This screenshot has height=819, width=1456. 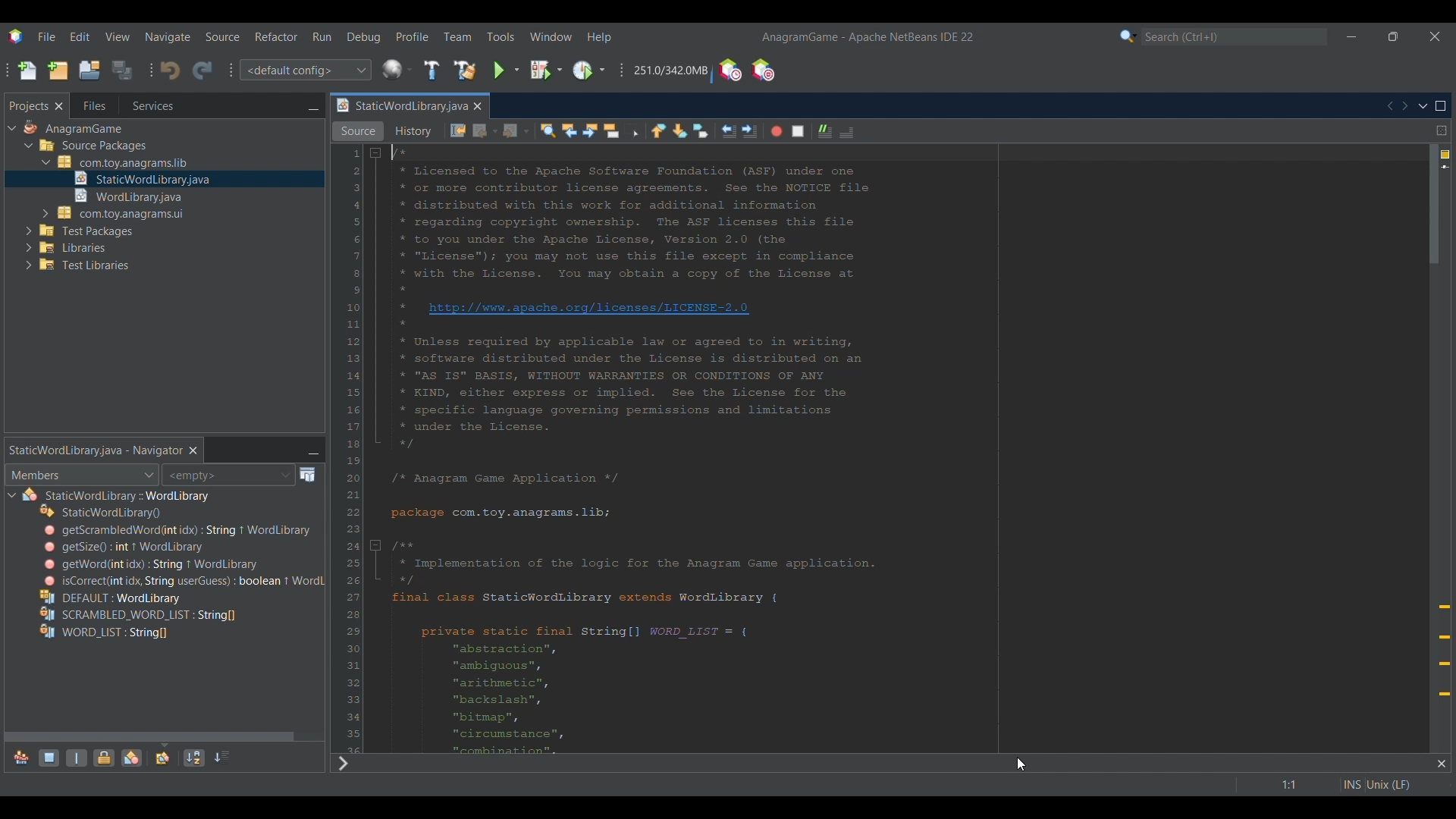 What do you see at coordinates (118, 36) in the screenshot?
I see `View menu` at bounding box center [118, 36].